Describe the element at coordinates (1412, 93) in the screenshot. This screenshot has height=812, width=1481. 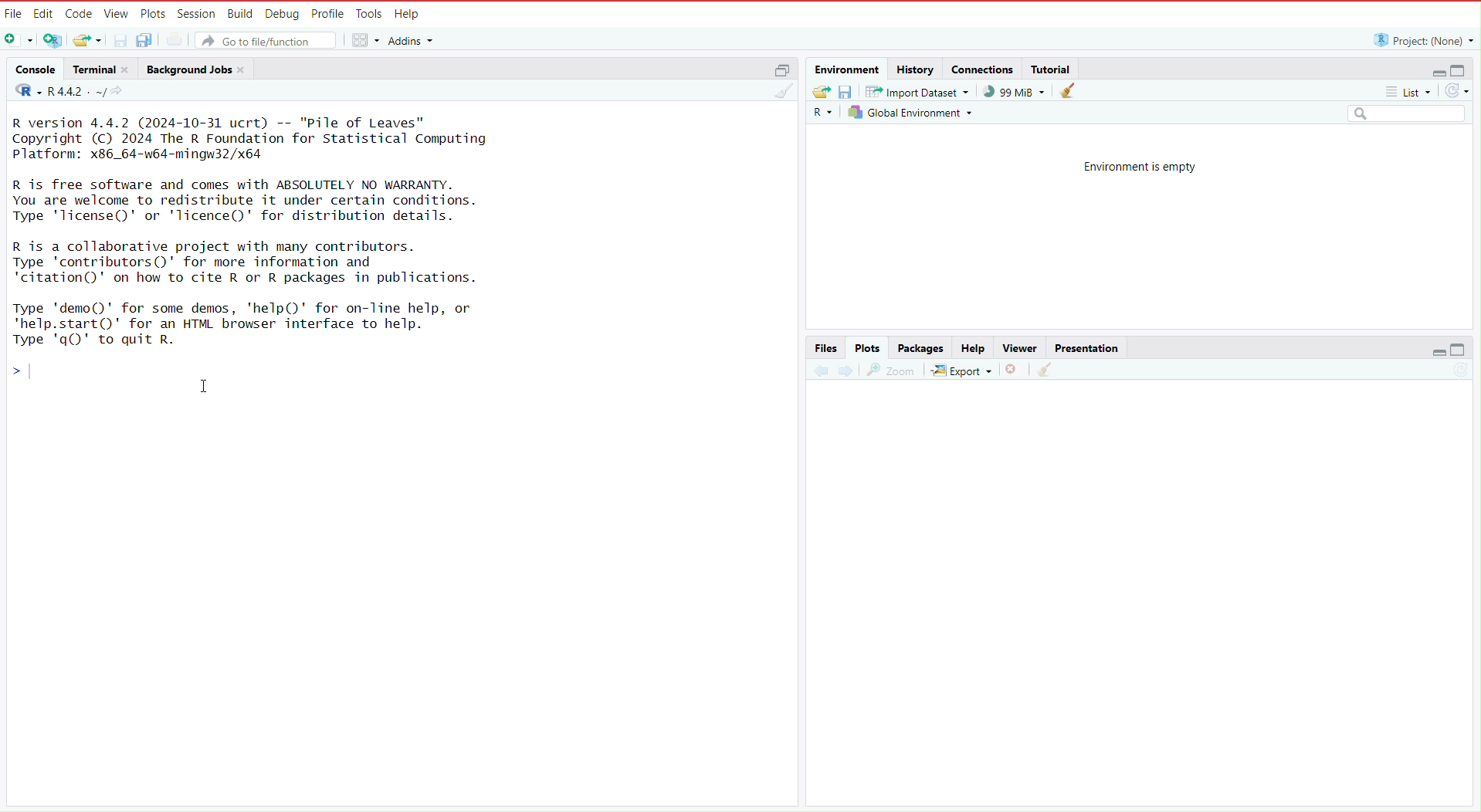
I see `list` at that location.